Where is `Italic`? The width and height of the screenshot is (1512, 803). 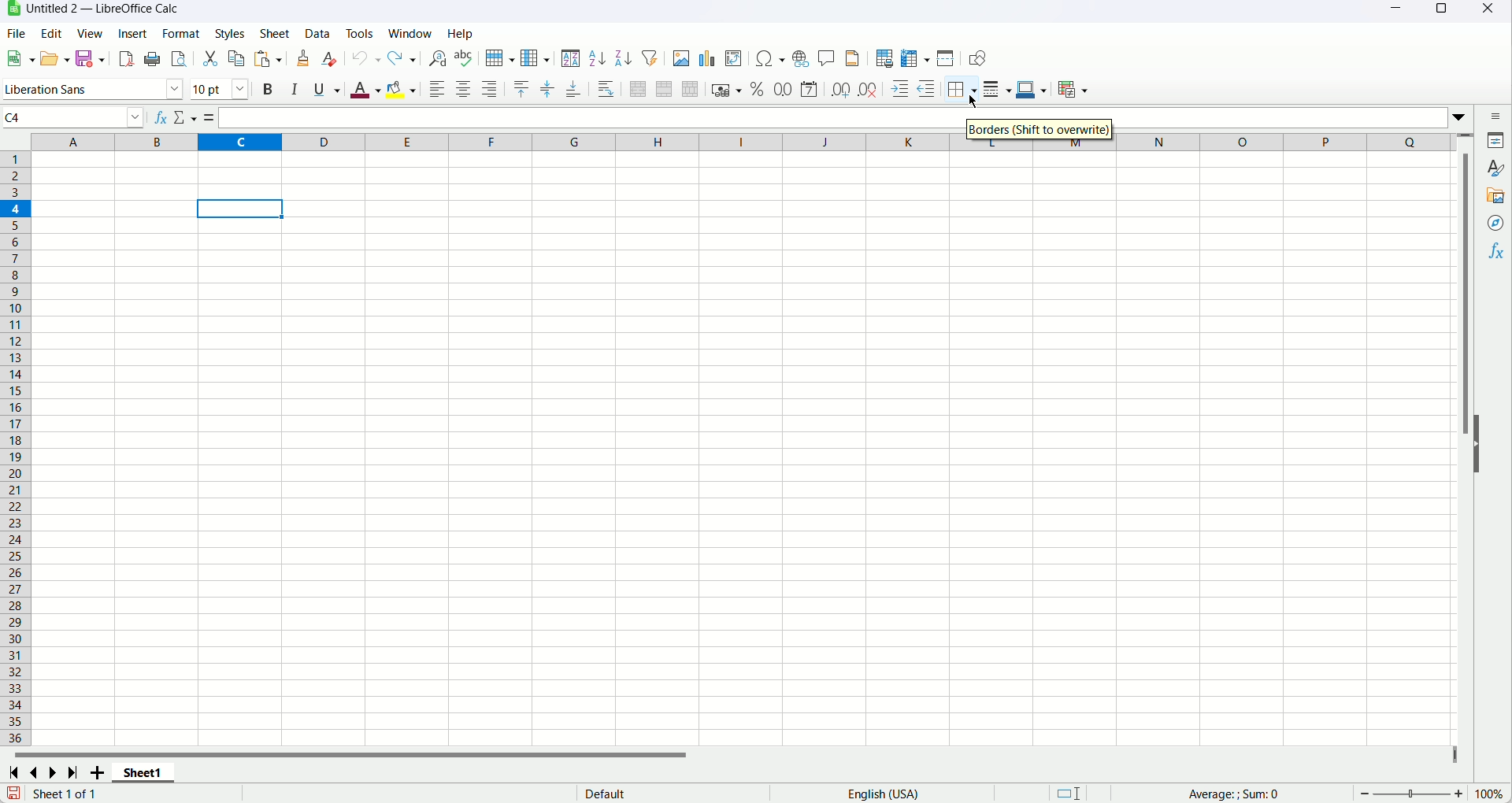
Italic is located at coordinates (295, 90).